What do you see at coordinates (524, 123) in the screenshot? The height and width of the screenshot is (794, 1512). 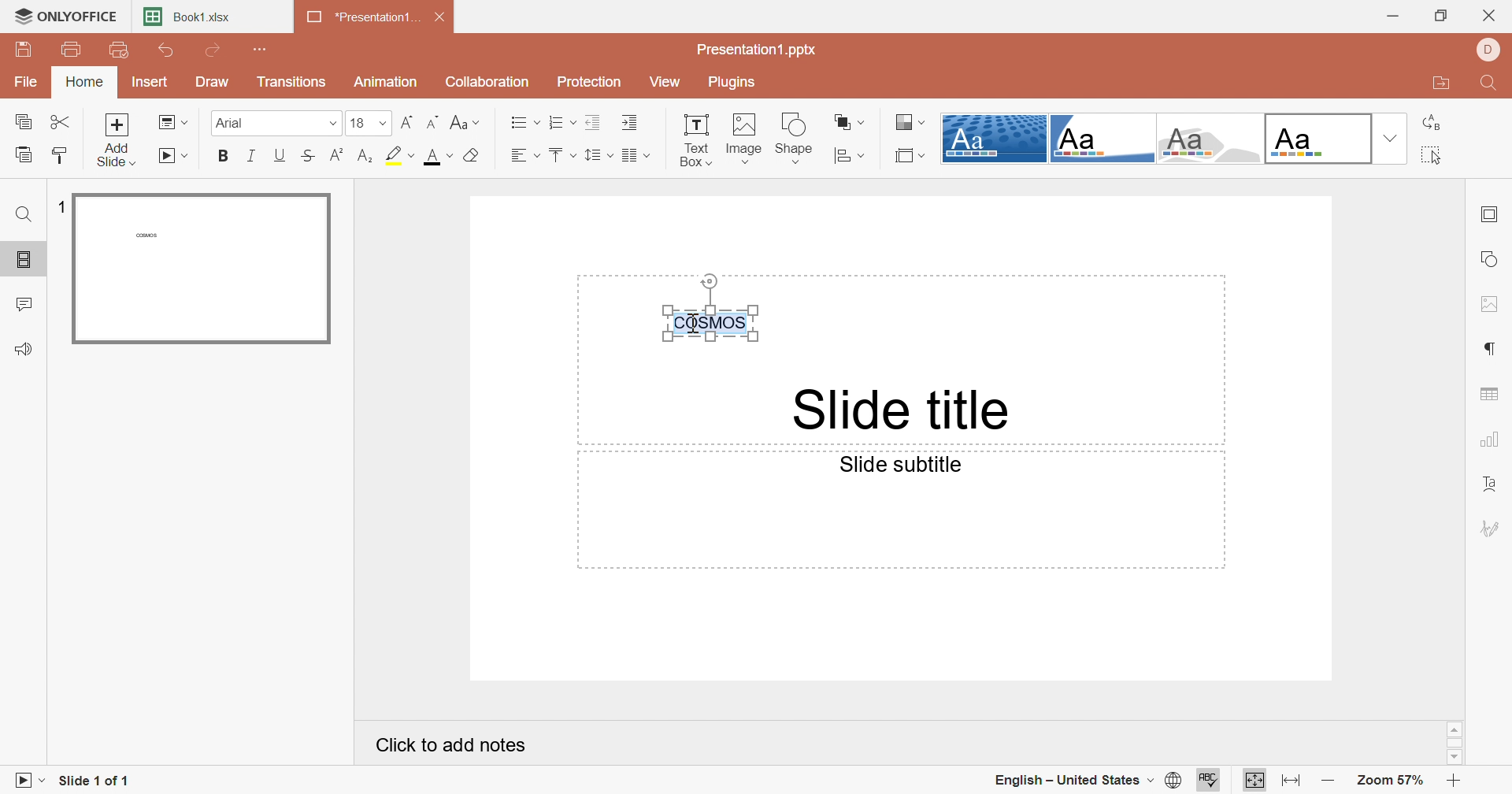 I see `Bullets` at bounding box center [524, 123].